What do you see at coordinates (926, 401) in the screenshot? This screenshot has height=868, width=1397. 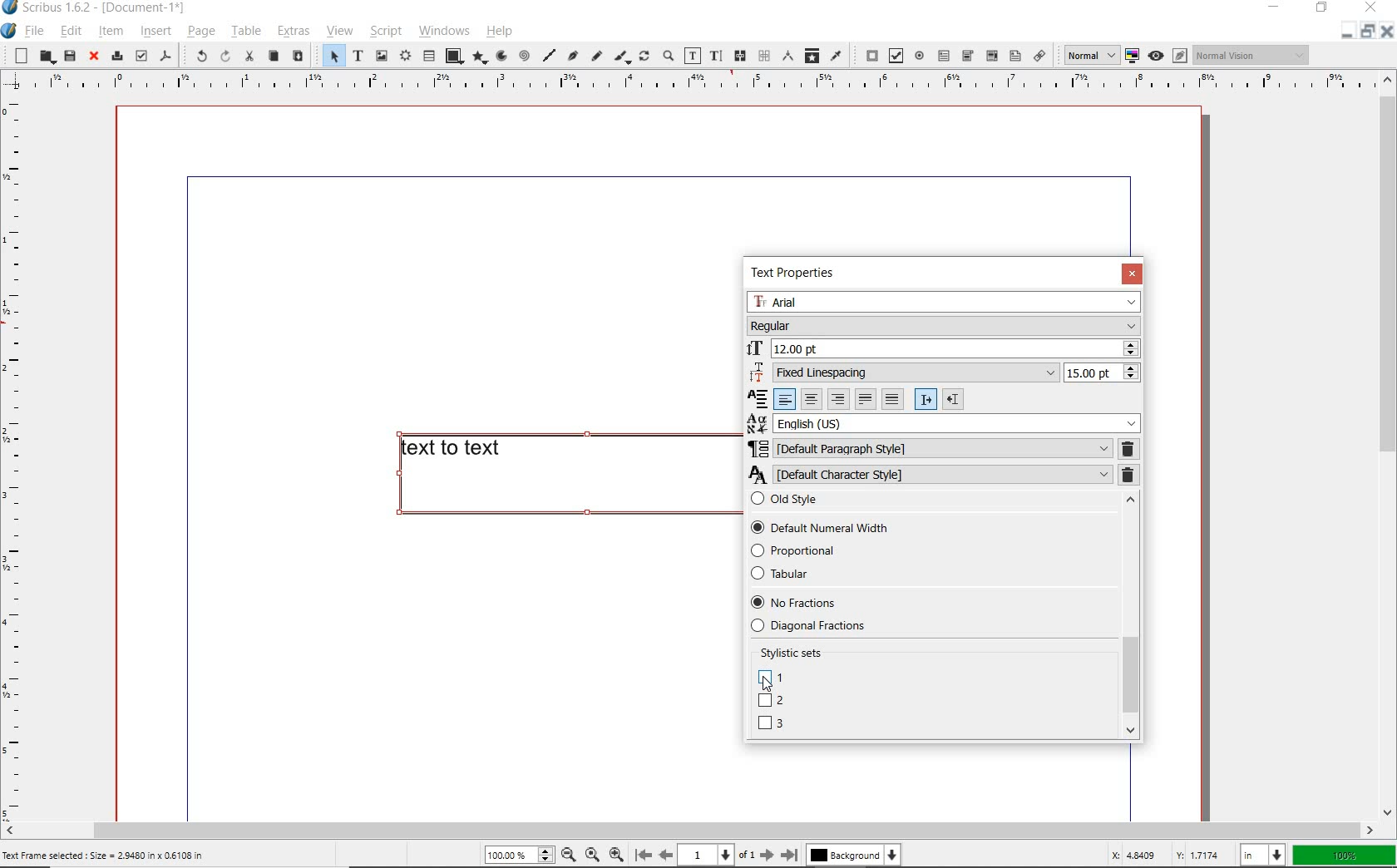 I see `Left to right paragraph` at bounding box center [926, 401].